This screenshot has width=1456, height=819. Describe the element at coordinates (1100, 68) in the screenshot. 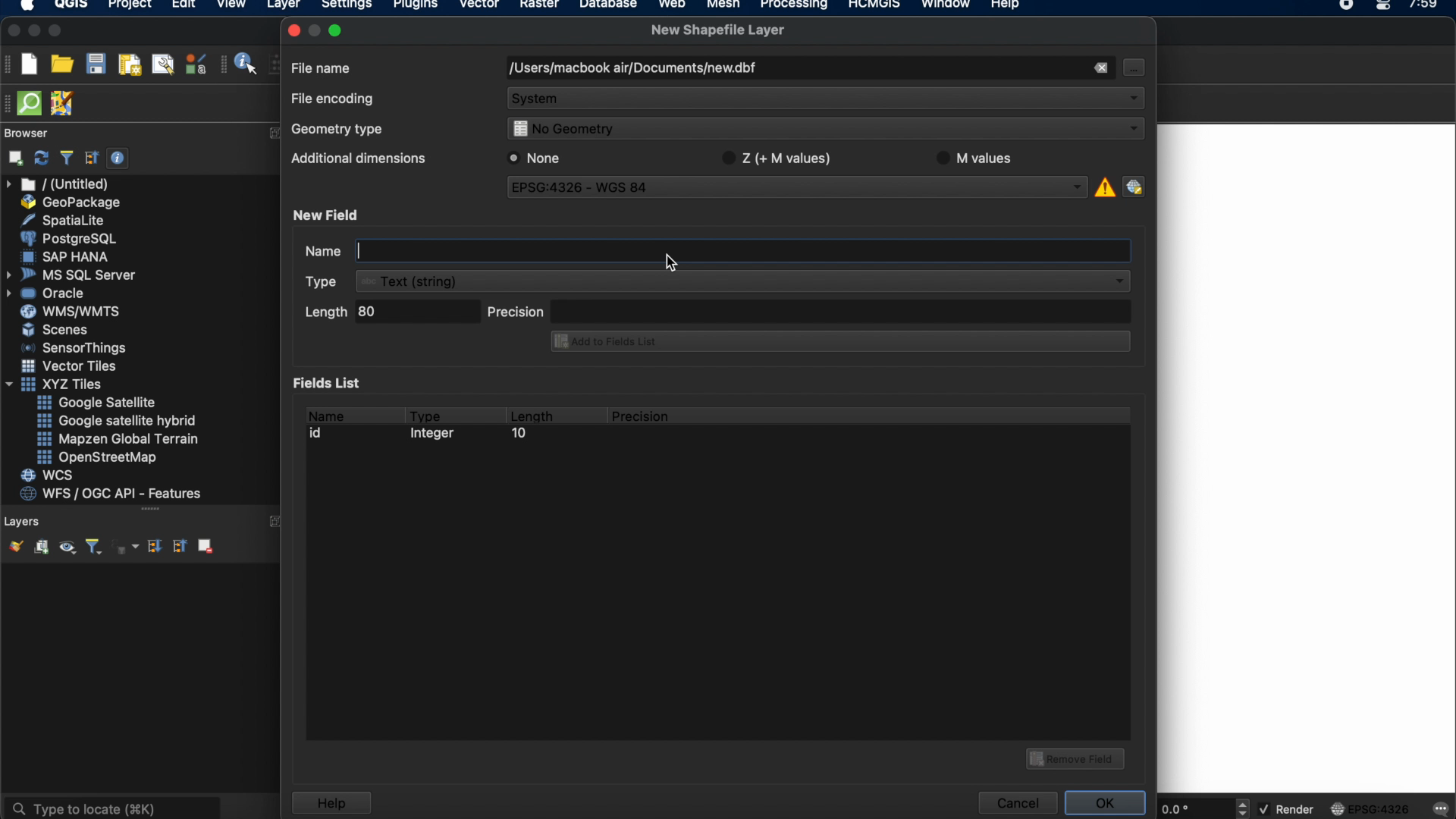

I see `remove` at that location.